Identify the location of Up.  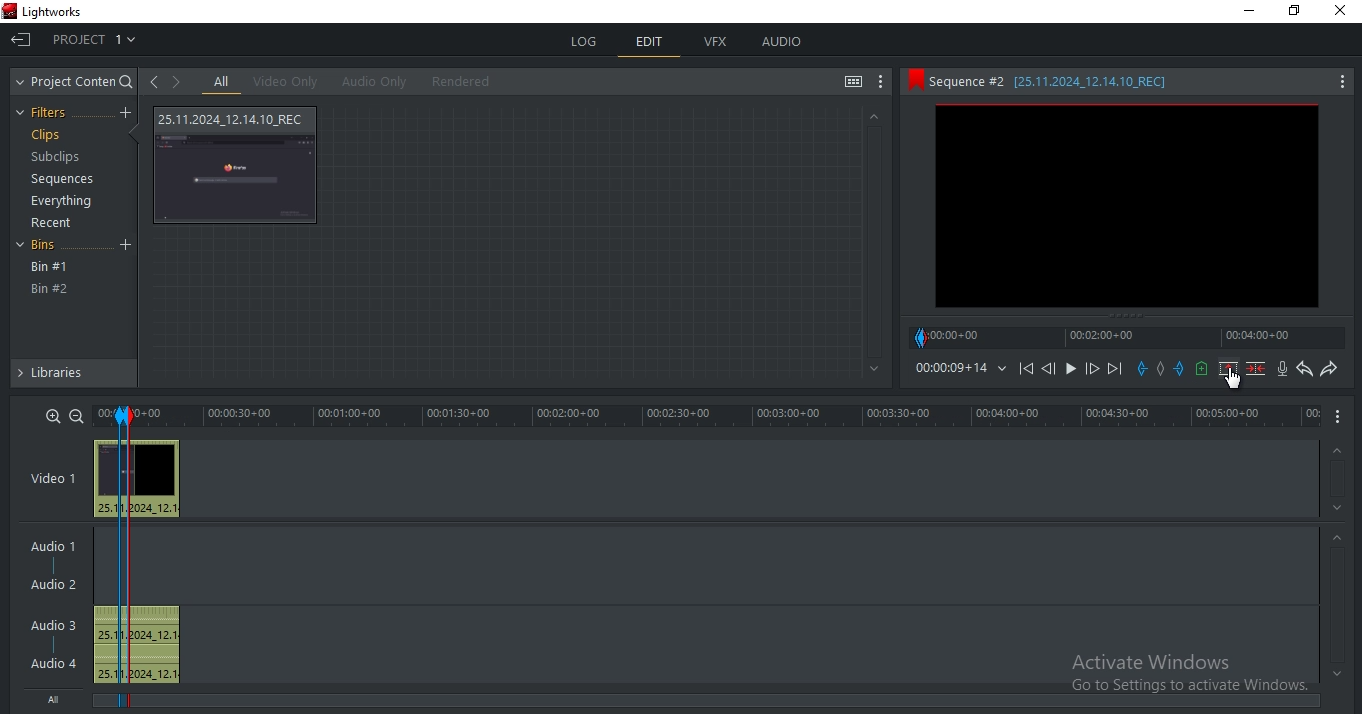
(873, 116).